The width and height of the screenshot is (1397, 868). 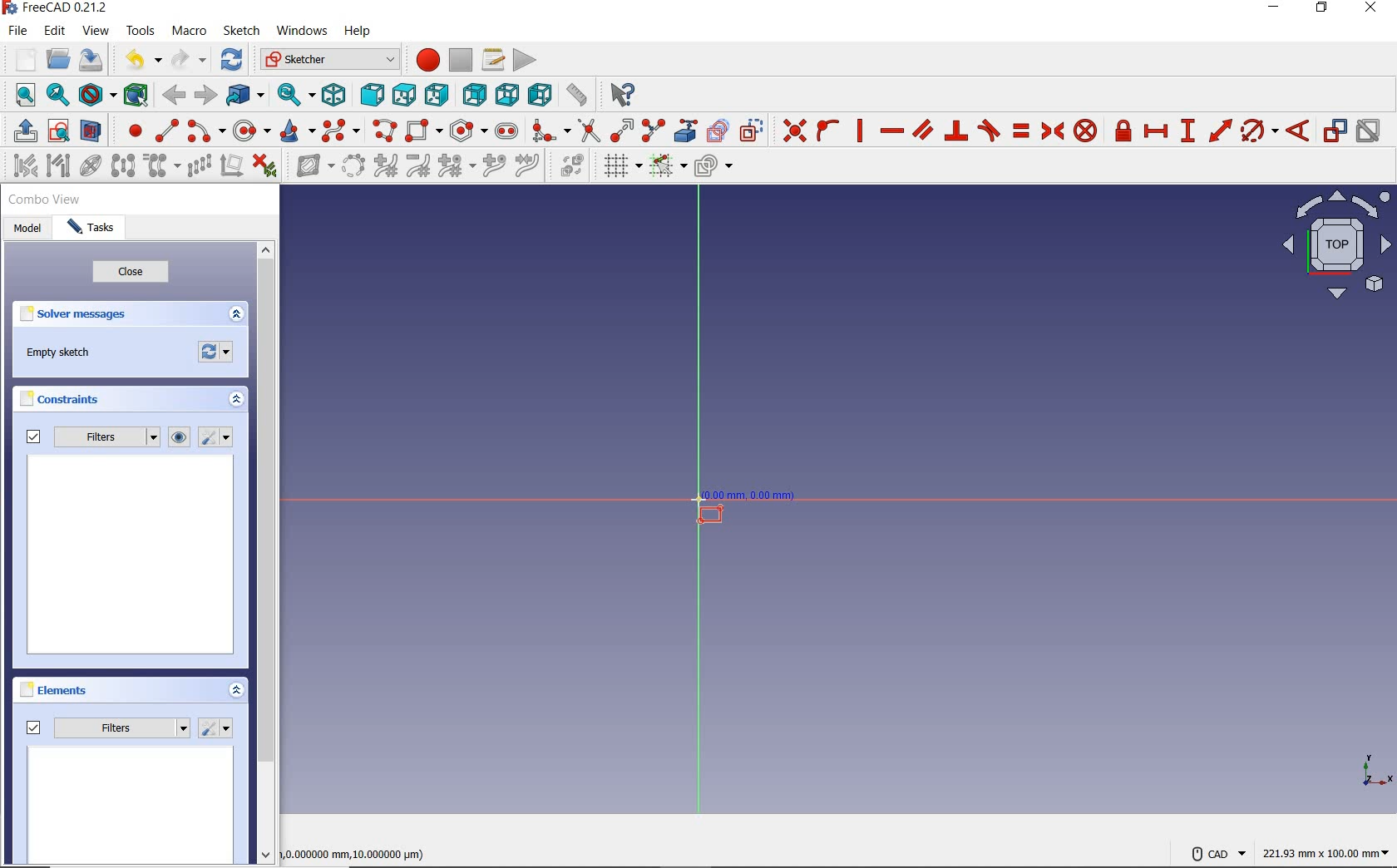 I want to click on expand, so click(x=236, y=314).